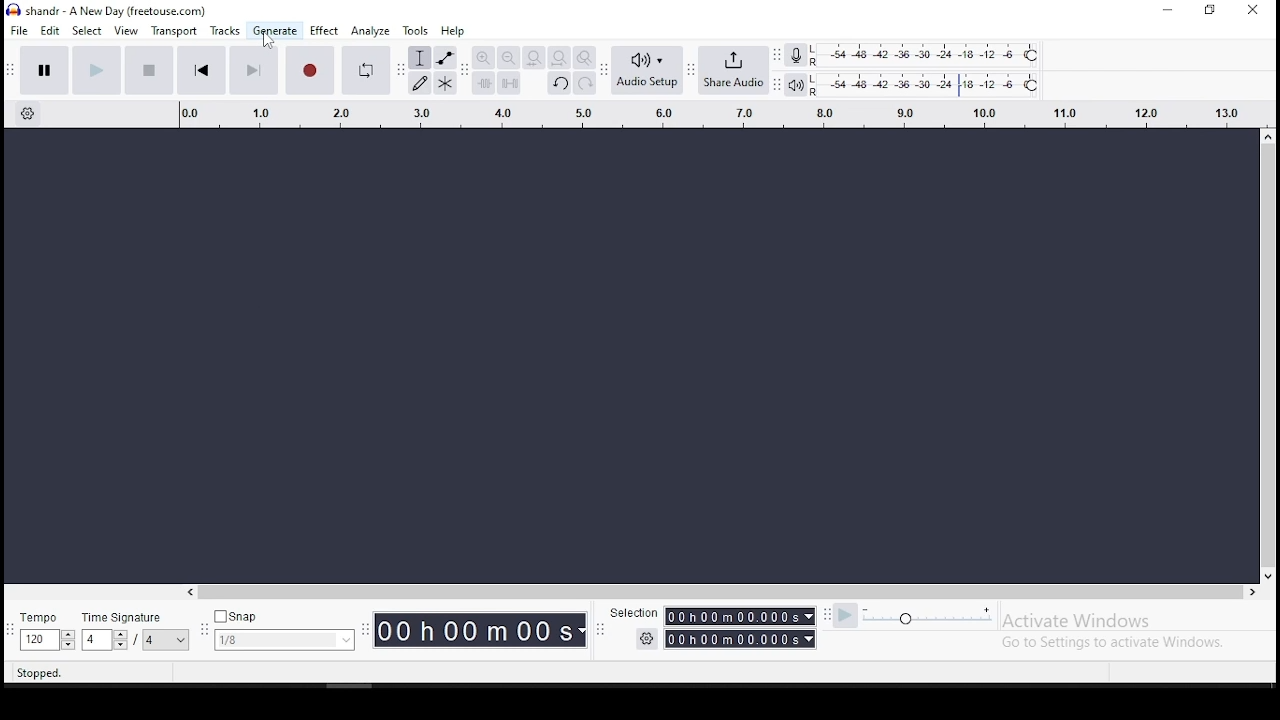  I want to click on help, so click(453, 30).